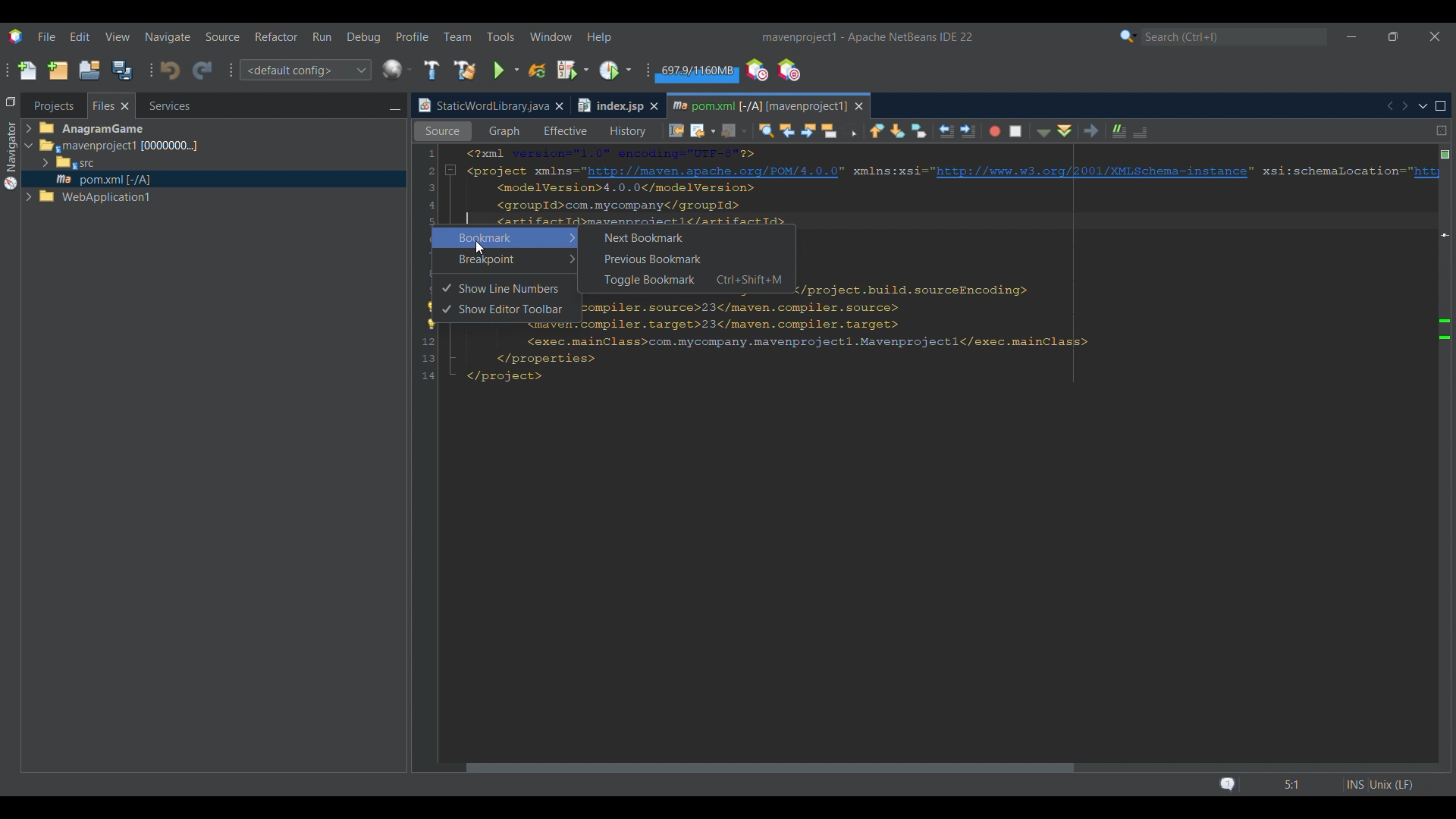 The height and width of the screenshot is (819, 1456). What do you see at coordinates (1351, 37) in the screenshot?
I see `Minimize` at bounding box center [1351, 37].